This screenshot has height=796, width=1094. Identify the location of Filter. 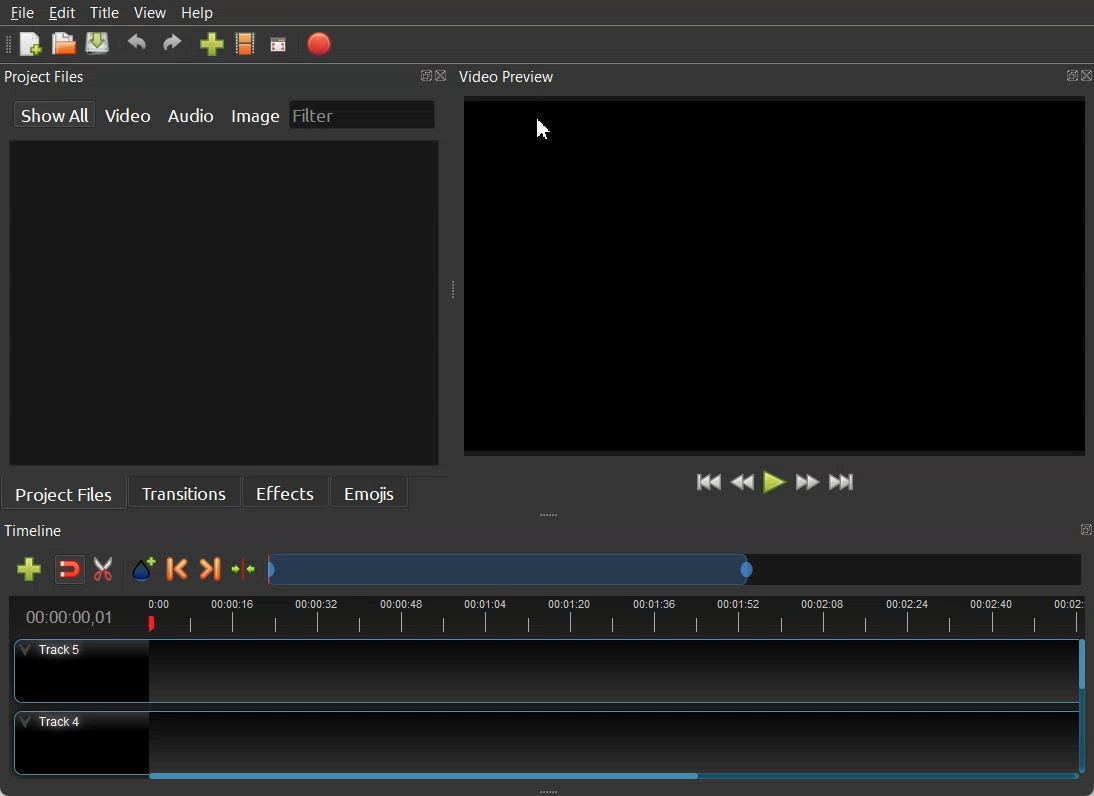
(363, 115).